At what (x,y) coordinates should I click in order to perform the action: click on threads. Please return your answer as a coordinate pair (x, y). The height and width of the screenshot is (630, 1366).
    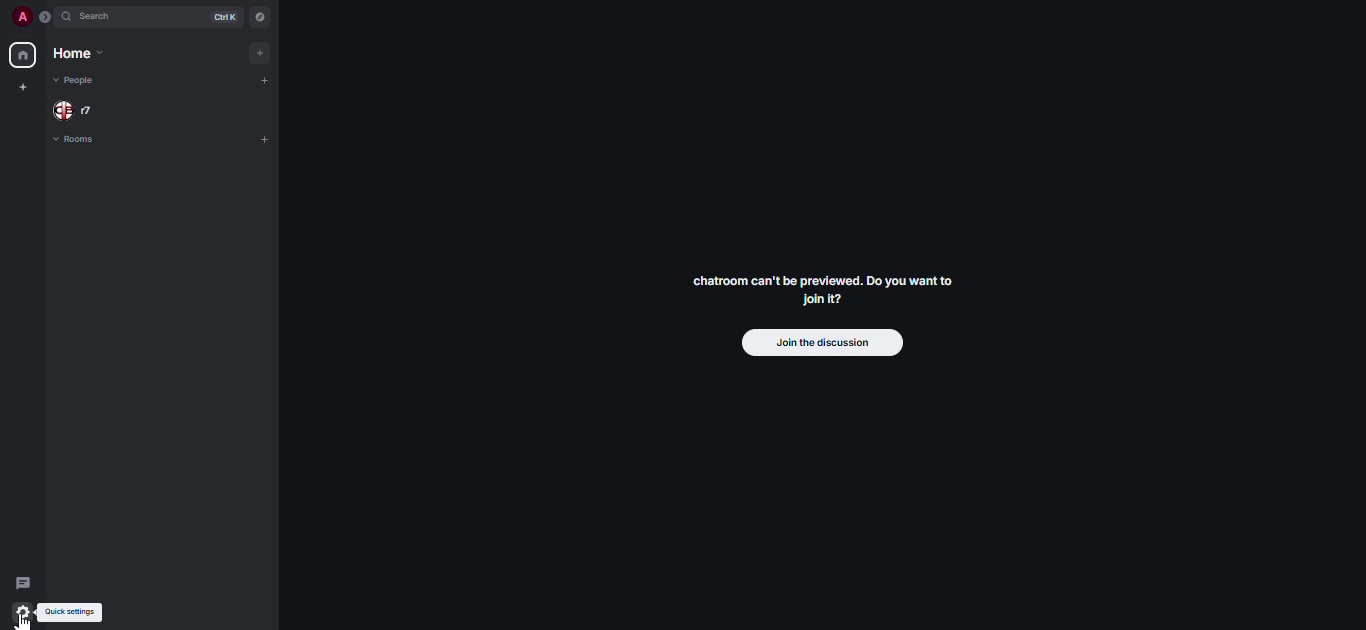
    Looking at the image, I should click on (24, 582).